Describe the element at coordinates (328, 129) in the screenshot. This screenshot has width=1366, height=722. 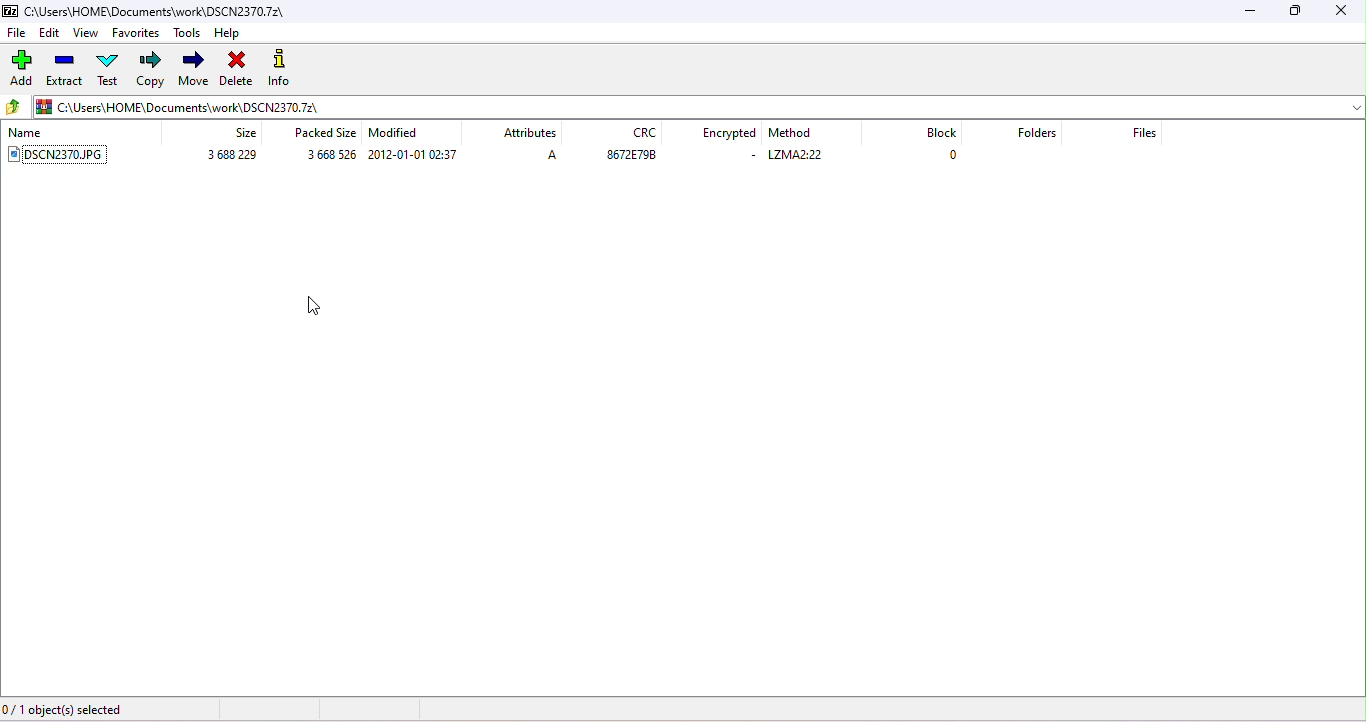
I see `packed size` at that location.